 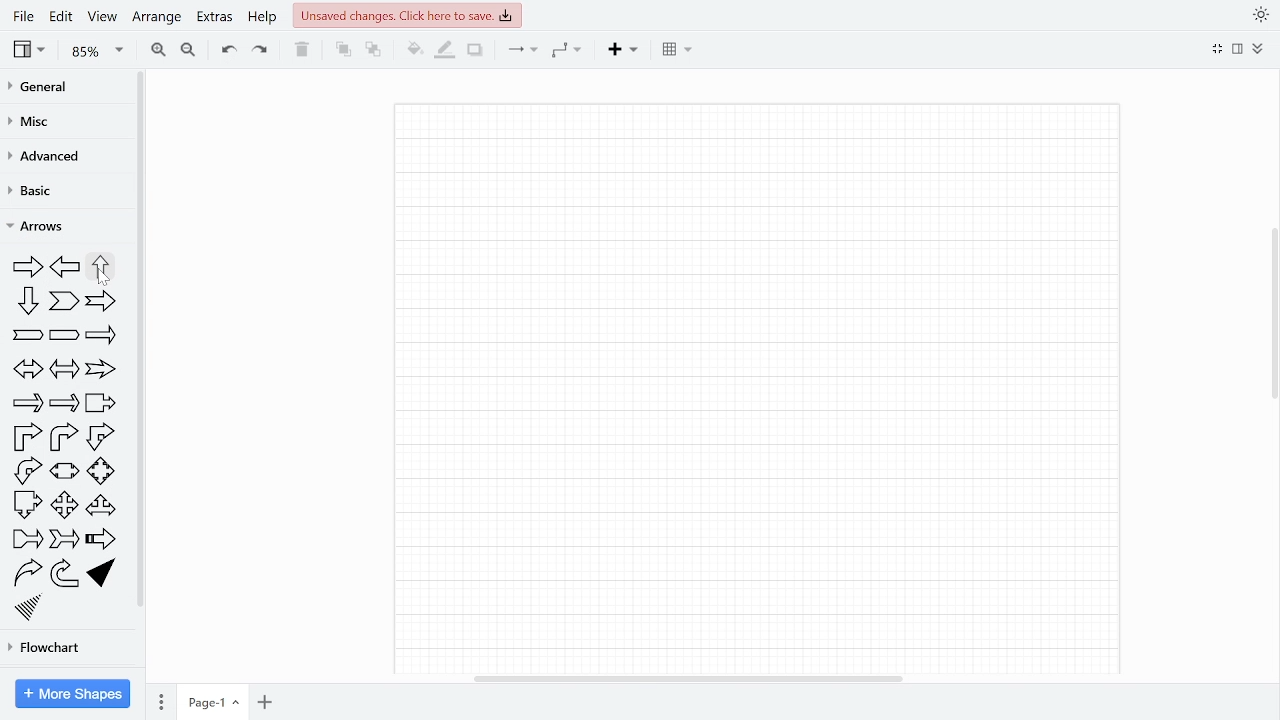 What do you see at coordinates (264, 17) in the screenshot?
I see `Help` at bounding box center [264, 17].